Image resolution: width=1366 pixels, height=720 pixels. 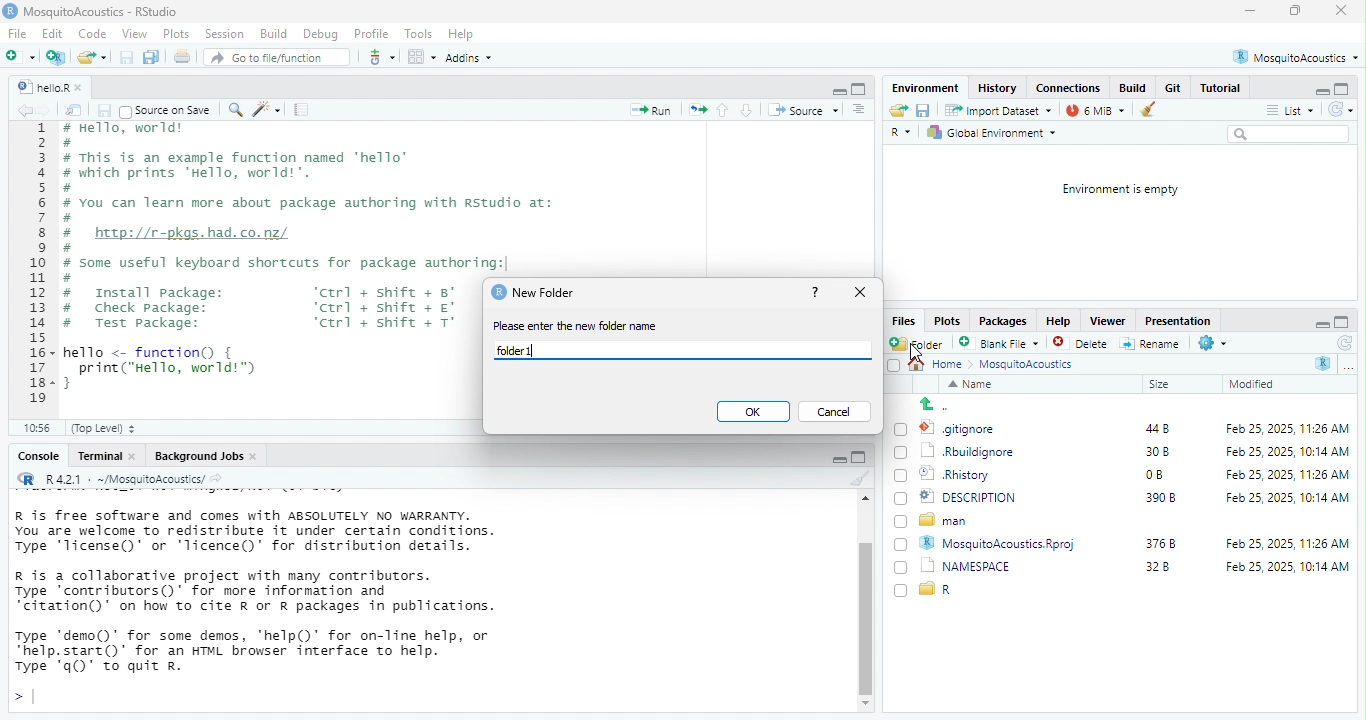 What do you see at coordinates (36, 458) in the screenshot?
I see `Console` at bounding box center [36, 458].